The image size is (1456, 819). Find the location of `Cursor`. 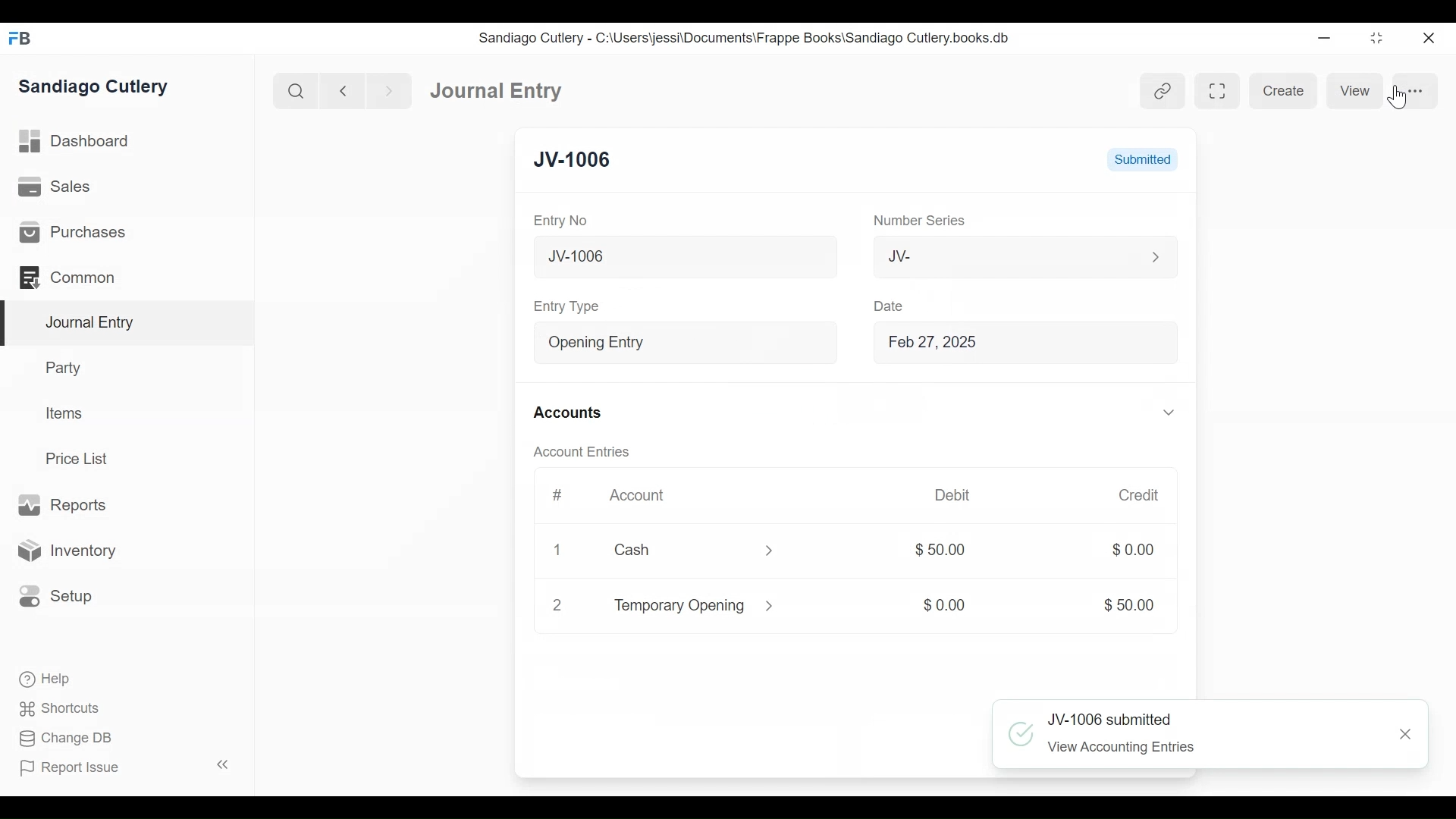

Cursor is located at coordinates (1398, 96).